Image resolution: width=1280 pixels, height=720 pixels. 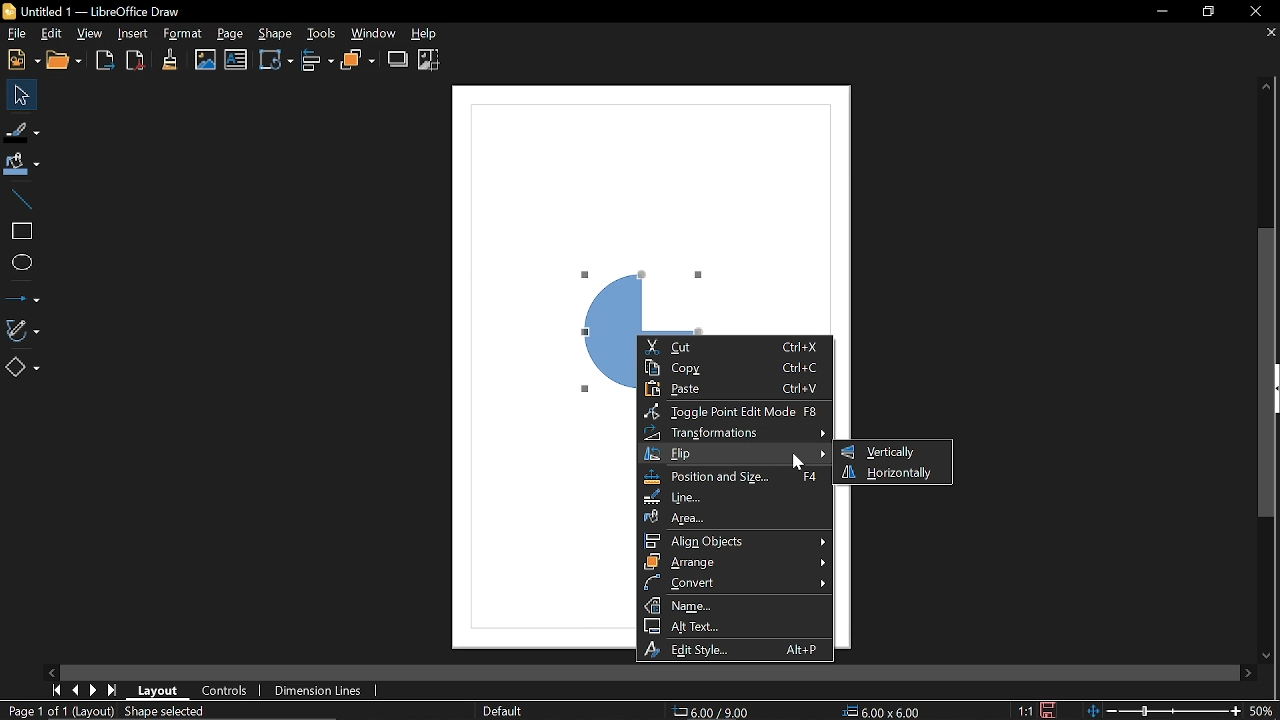 I want to click on Dimension lines, so click(x=318, y=690).